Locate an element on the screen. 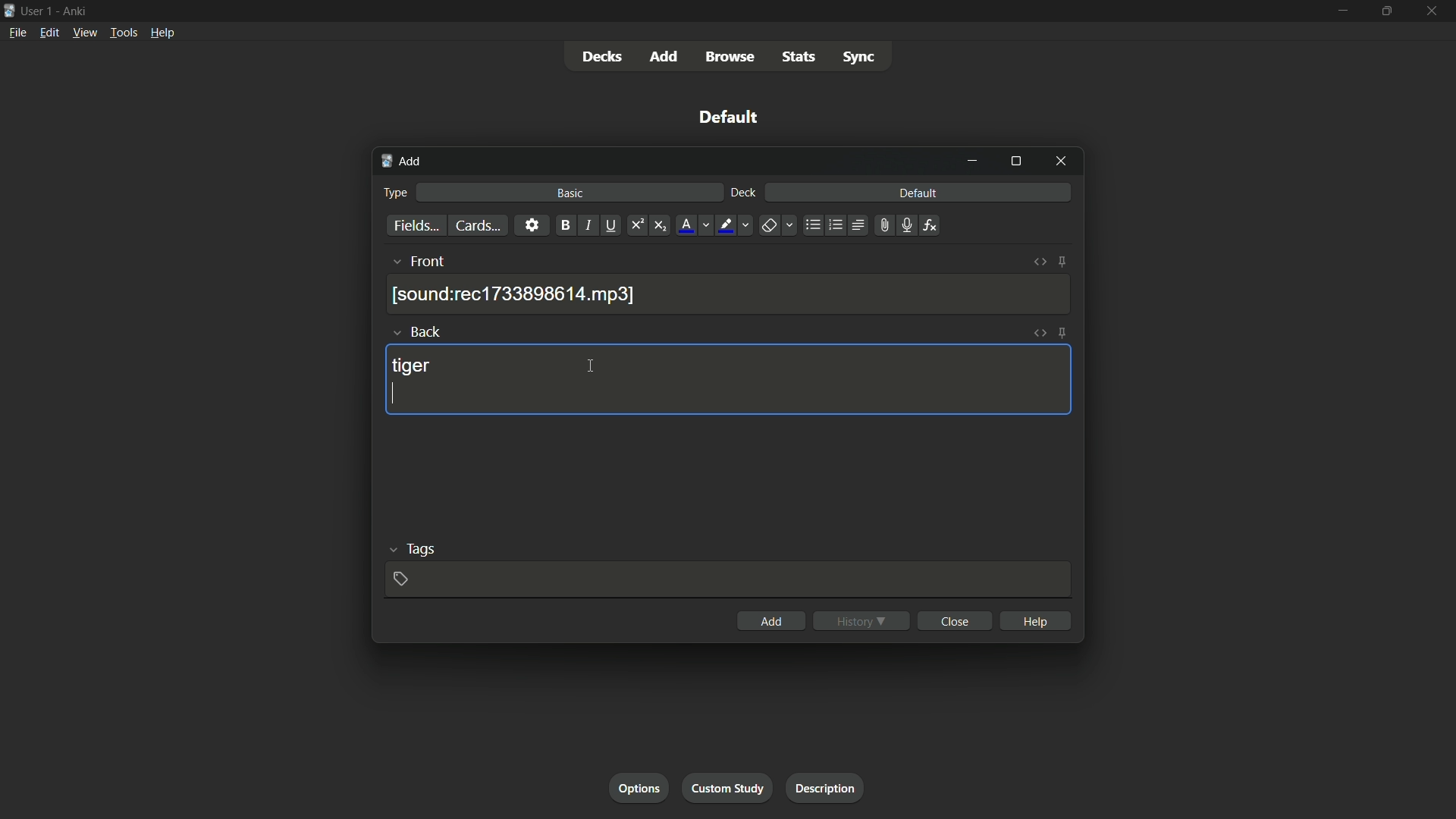 This screenshot has width=1456, height=819. app icon is located at coordinates (9, 9).